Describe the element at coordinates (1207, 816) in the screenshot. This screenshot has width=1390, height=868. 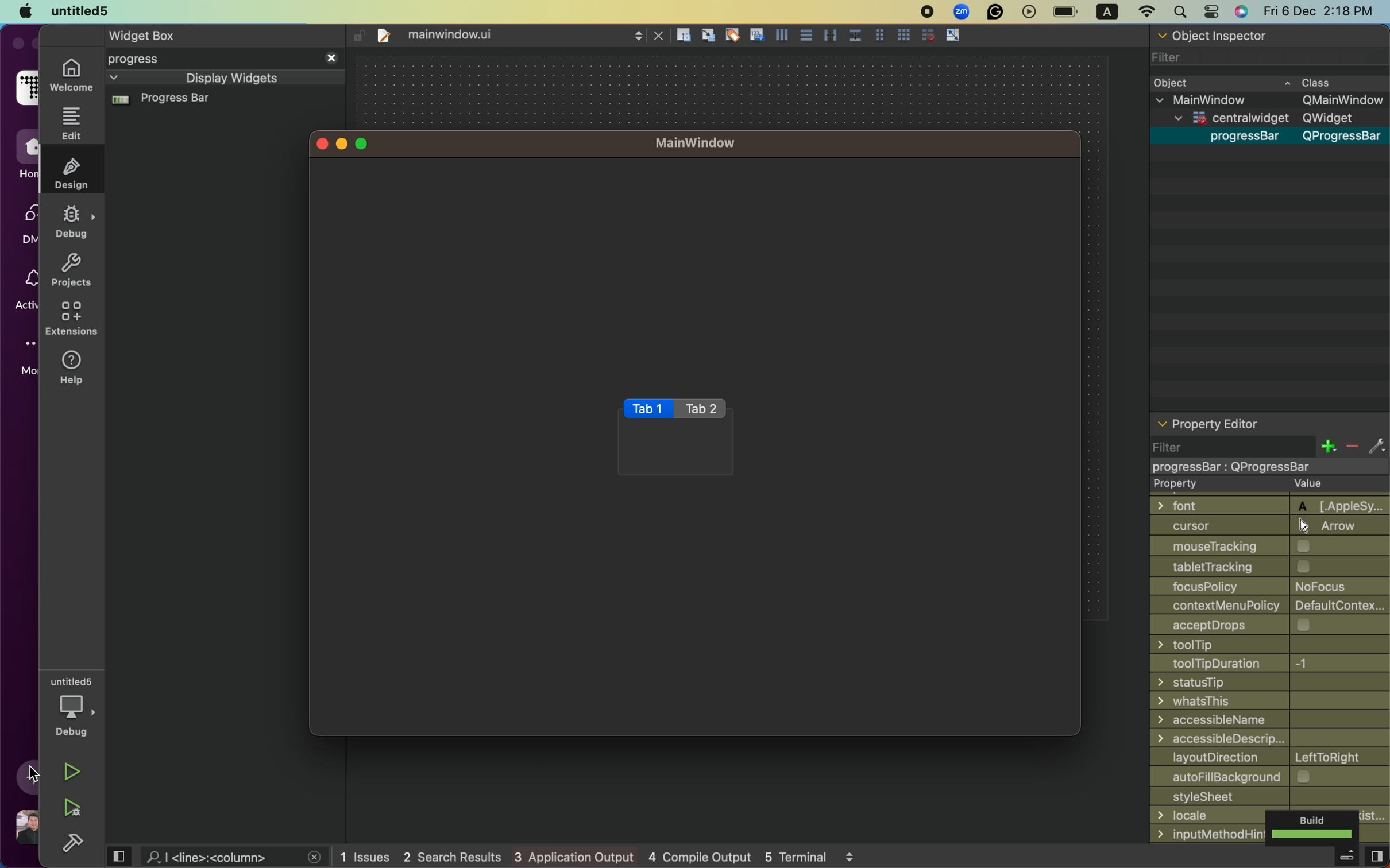
I see `locate` at that location.